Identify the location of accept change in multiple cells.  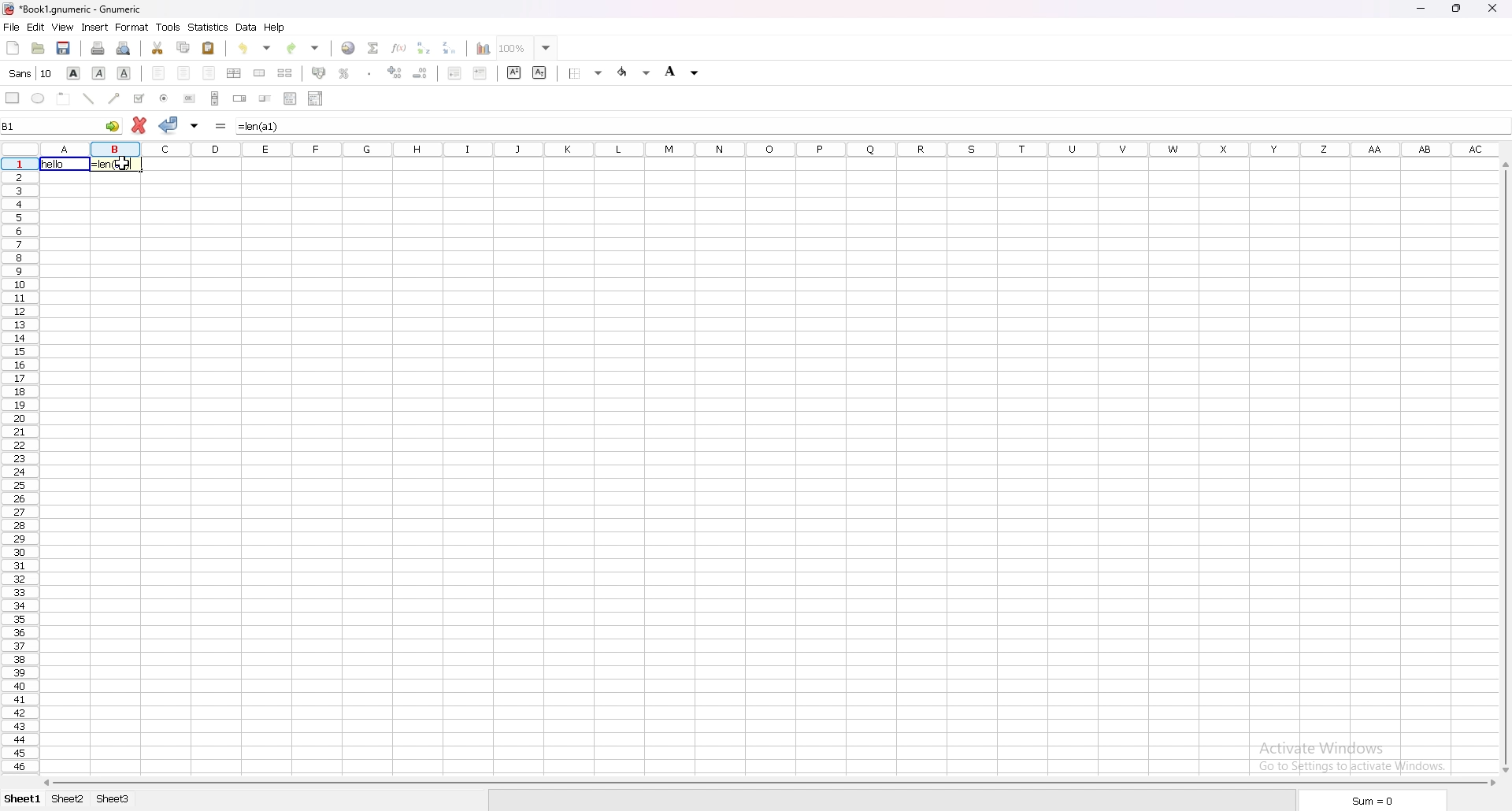
(195, 125).